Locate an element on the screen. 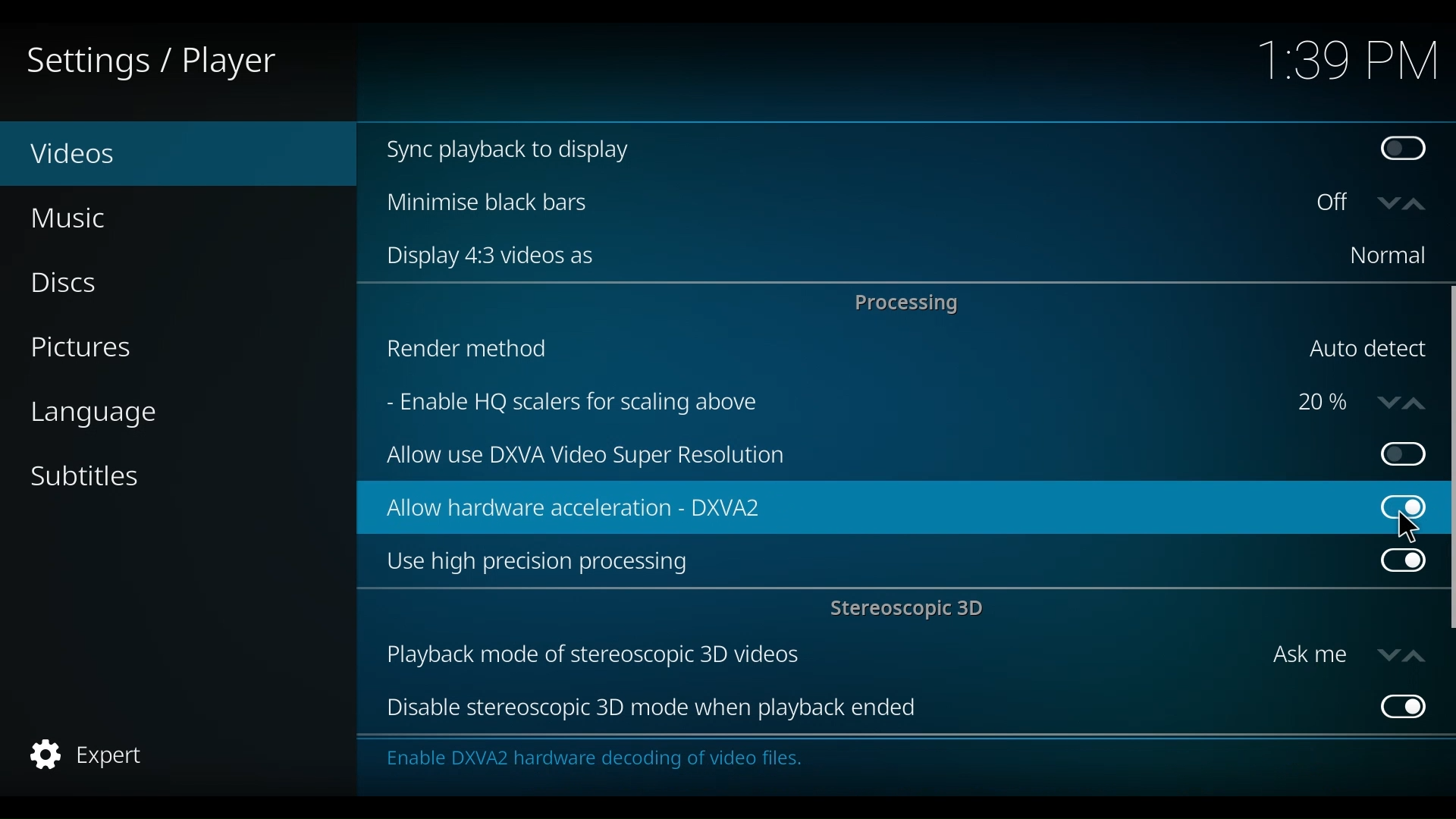 This screenshot has height=819, width=1456. Toggle on/off Disable stereoscopic 3D mode when playback ended is located at coordinates (1400, 705).